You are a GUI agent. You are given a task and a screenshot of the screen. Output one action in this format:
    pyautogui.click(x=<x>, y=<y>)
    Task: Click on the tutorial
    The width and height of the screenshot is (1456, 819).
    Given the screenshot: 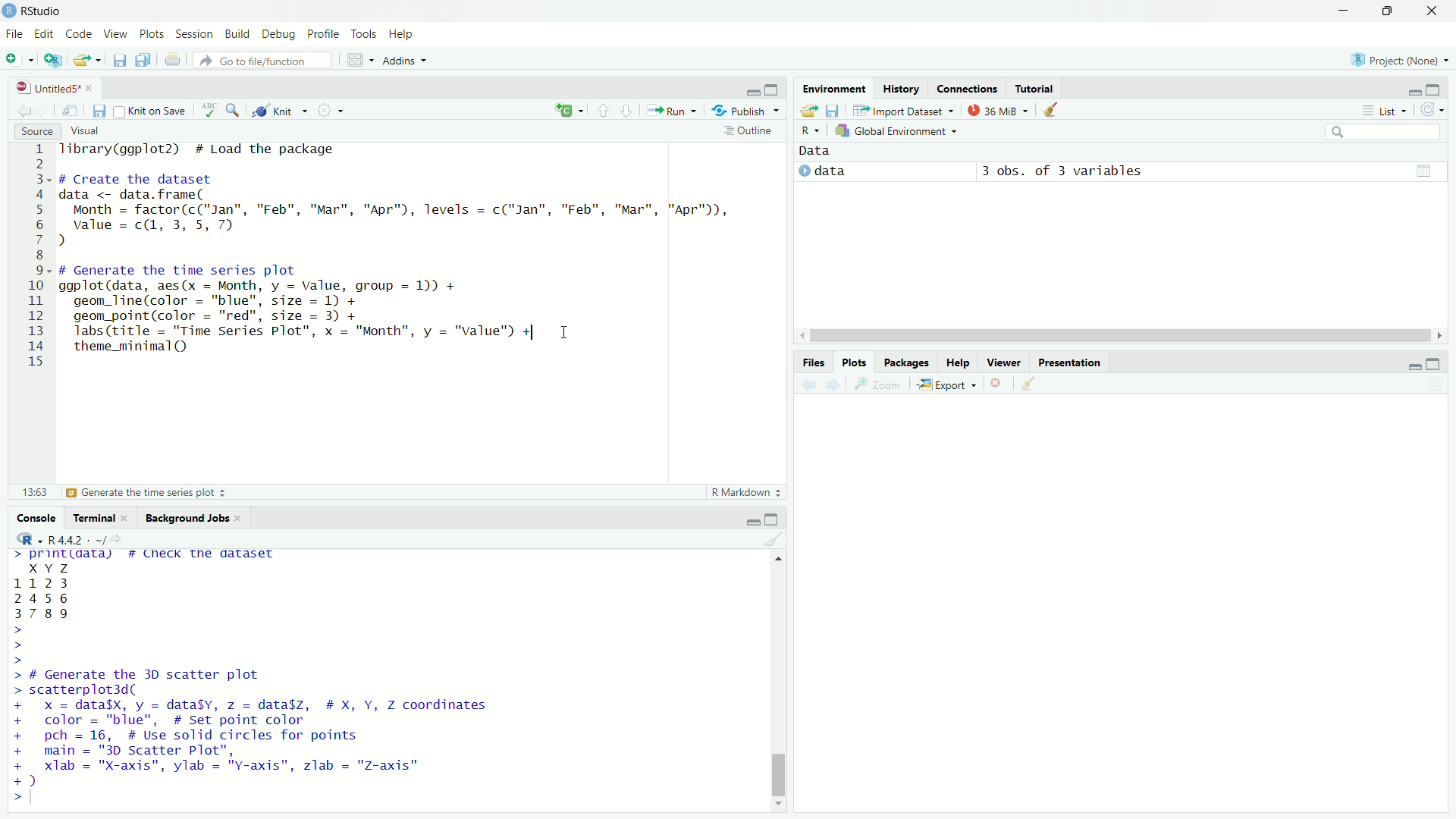 What is the action you would take?
    pyautogui.click(x=1035, y=86)
    